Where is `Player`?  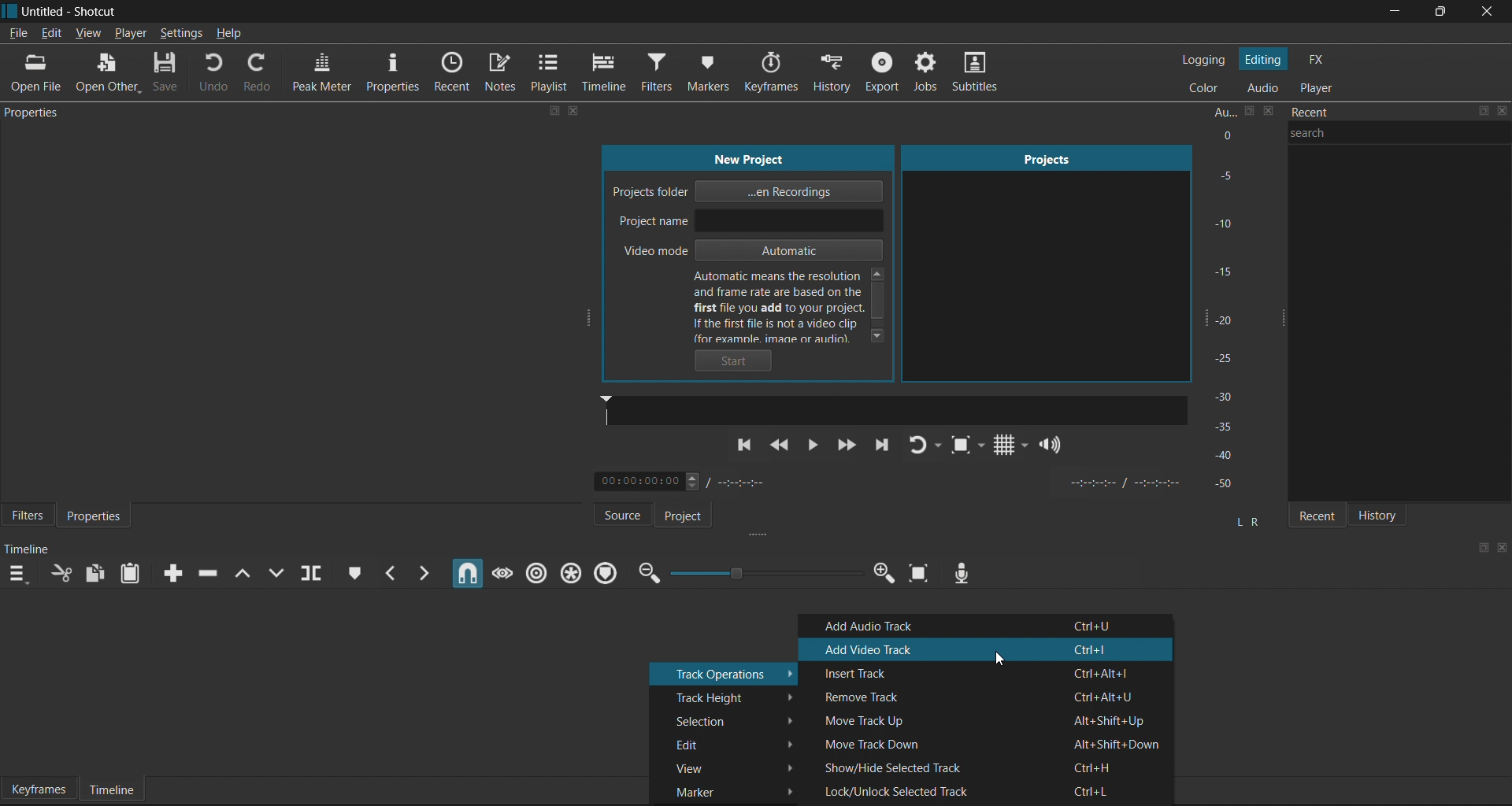 Player is located at coordinates (1320, 87).